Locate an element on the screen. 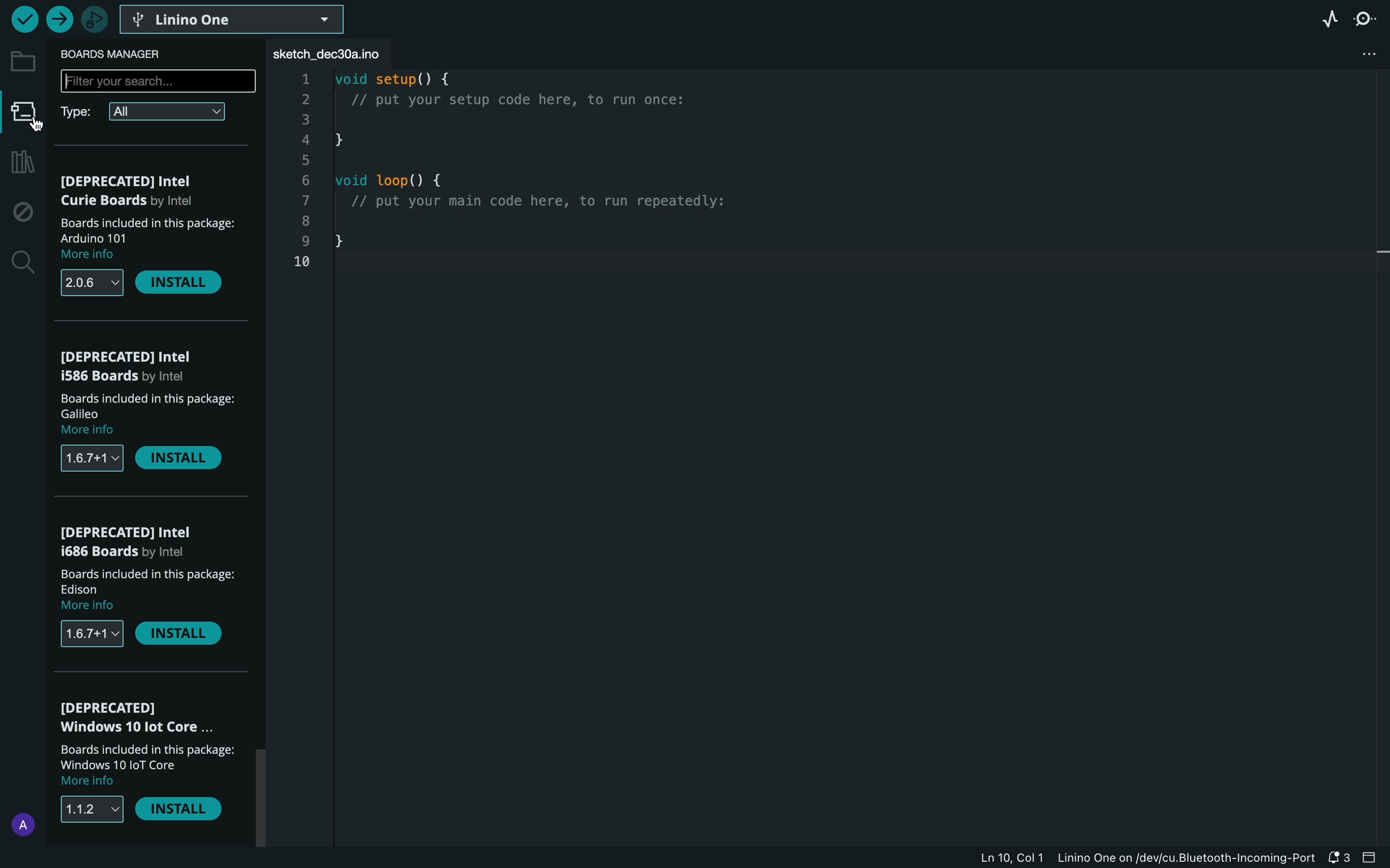 This screenshot has height=868, width=1390. install is located at coordinates (179, 282).